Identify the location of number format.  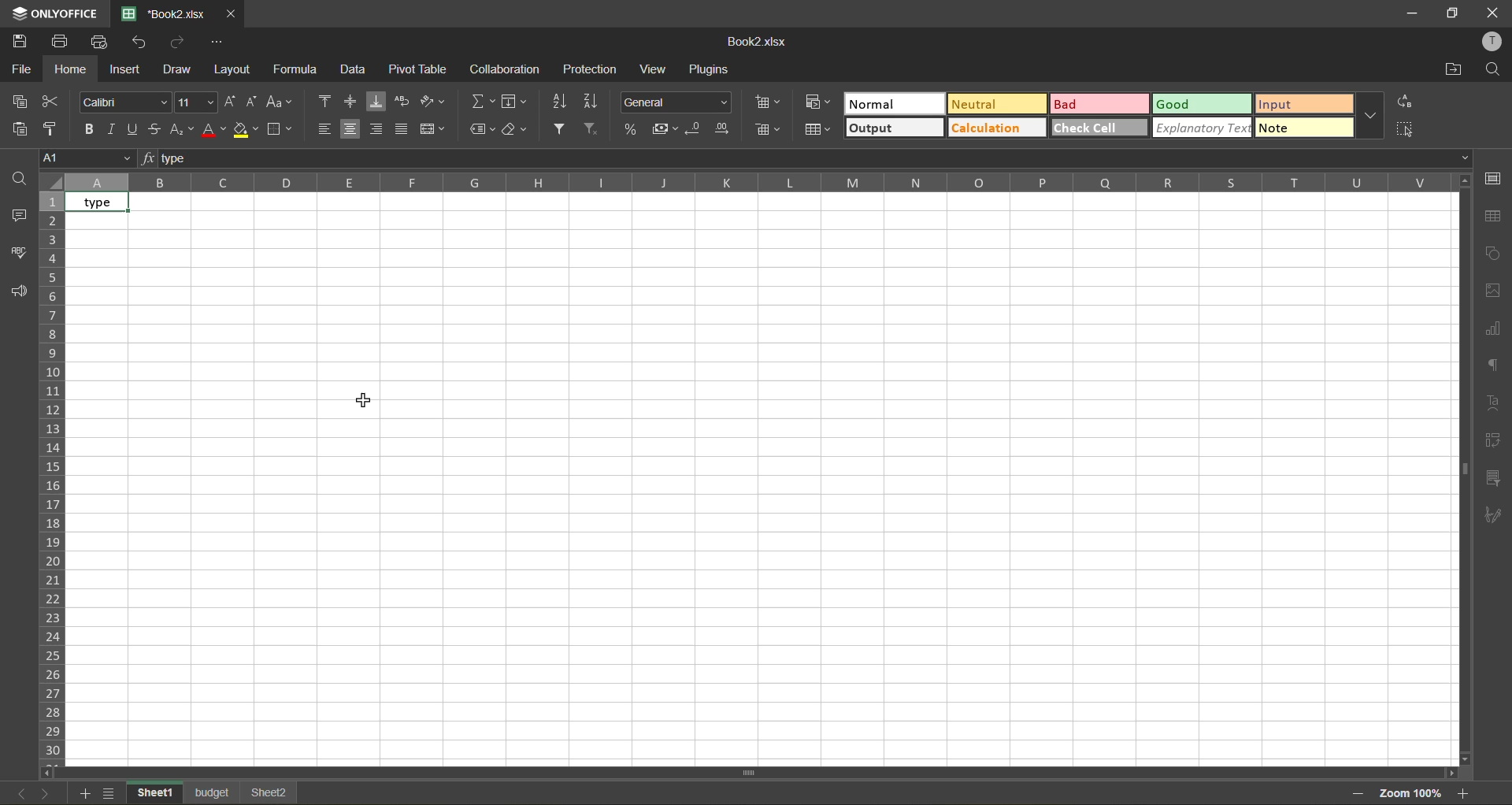
(679, 102).